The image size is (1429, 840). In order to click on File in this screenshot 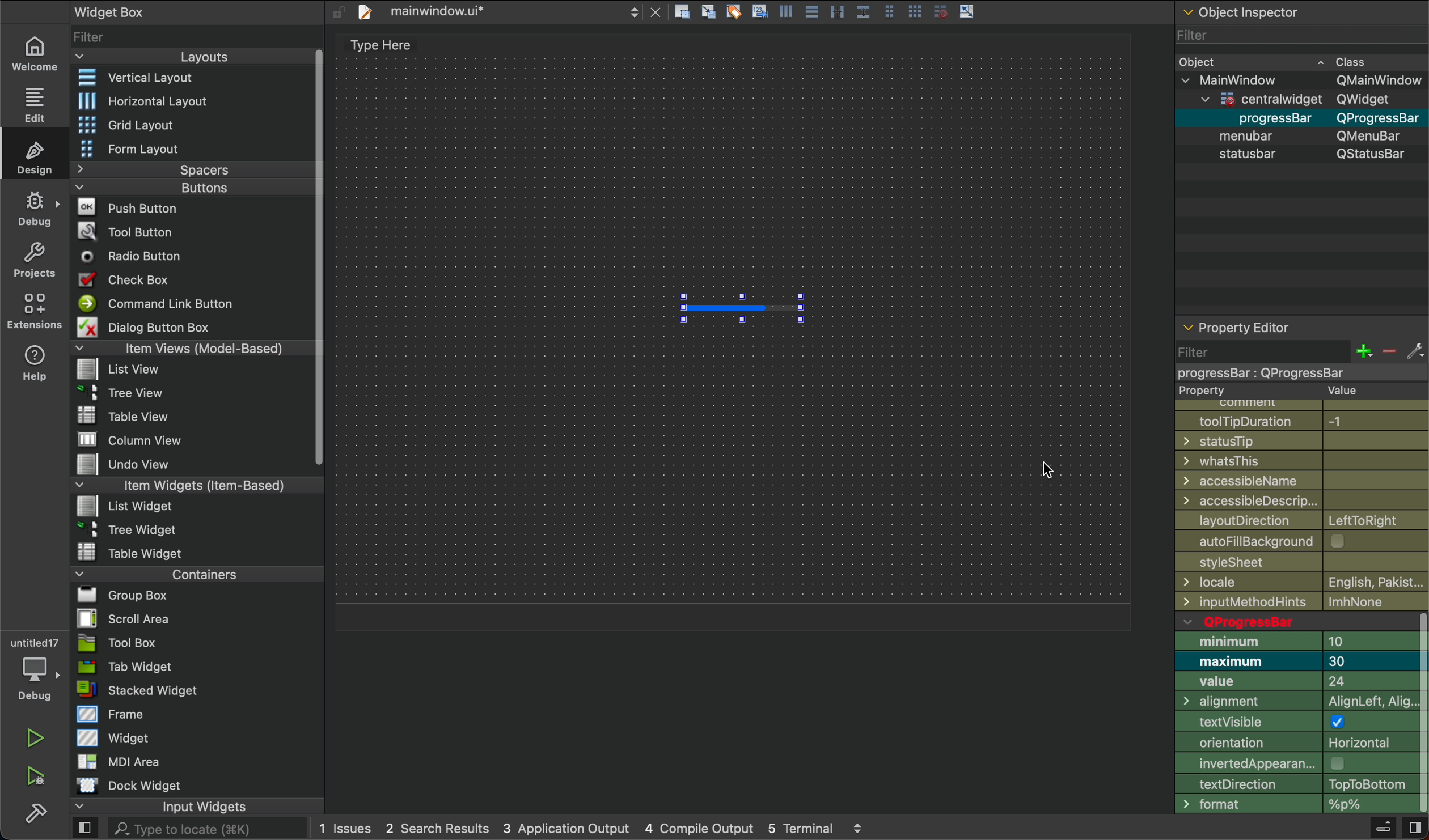, I will do `click(132, 551)`.